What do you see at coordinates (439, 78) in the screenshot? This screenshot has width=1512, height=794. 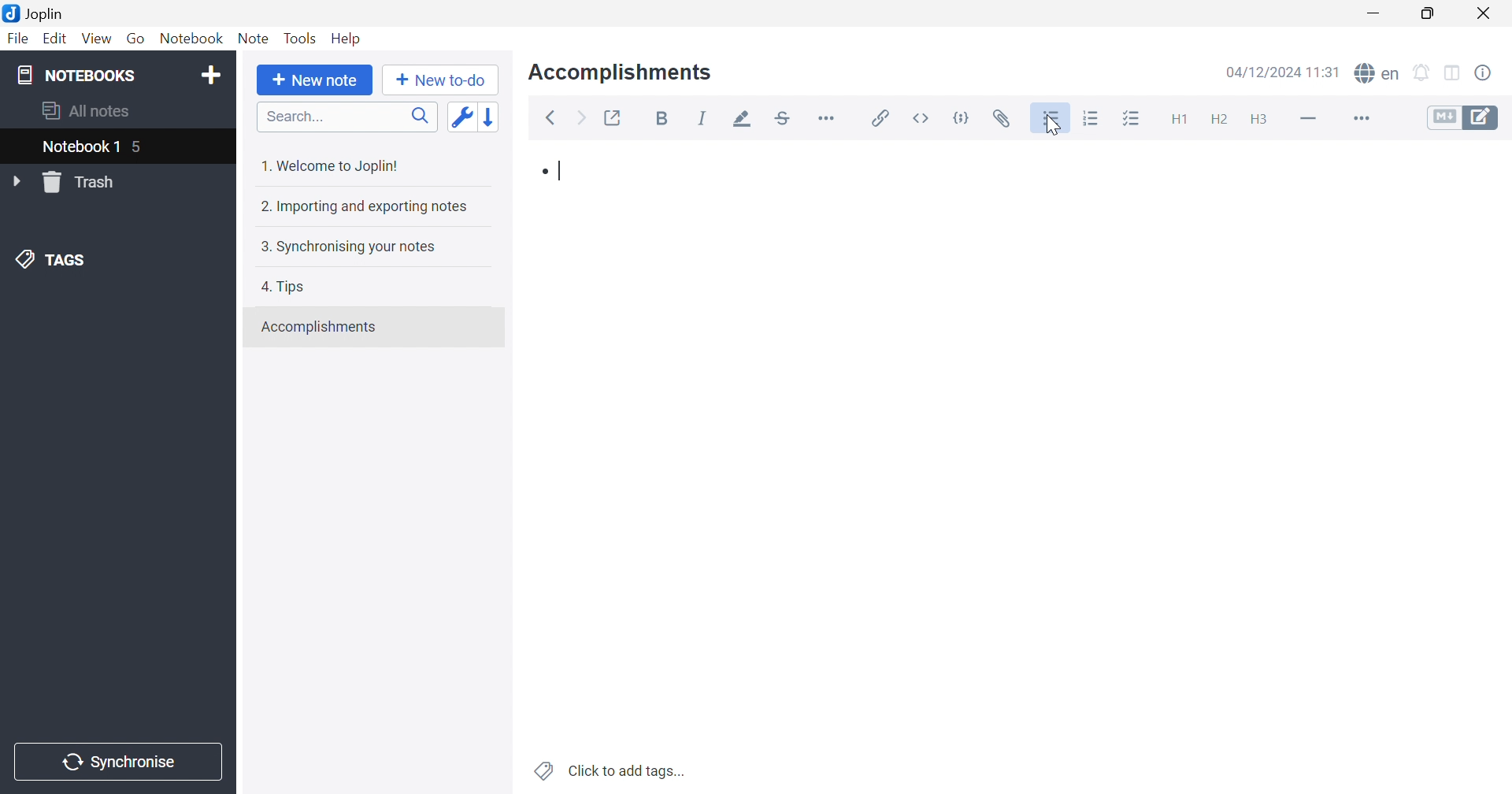 I see `New to-do` at bounding box center [439, 78].